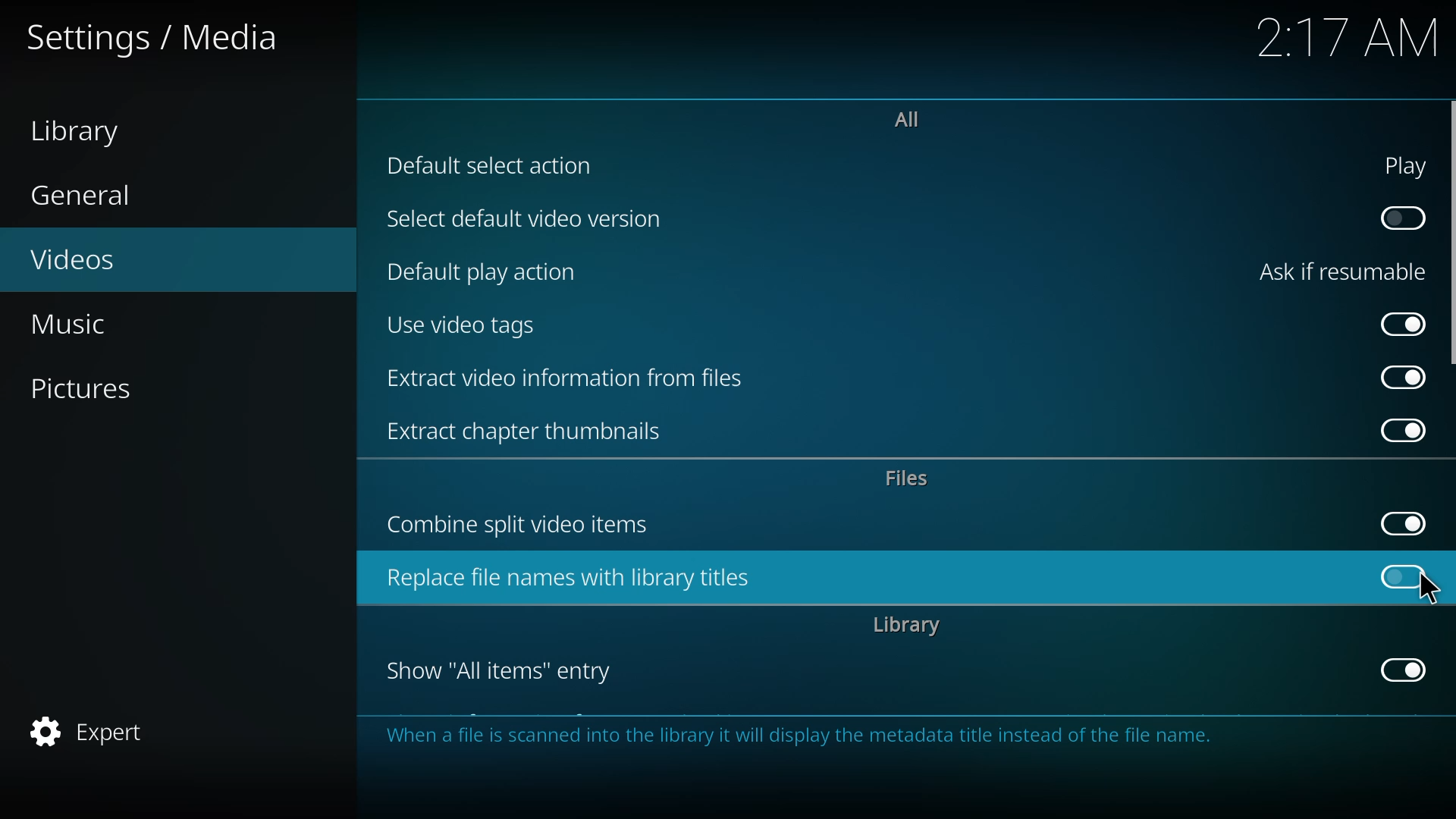 The height and width of the screenshot is (819, 1456). Describe the element at coordinates (1394, 322) in the screenshot. I see `enabled` at that location.